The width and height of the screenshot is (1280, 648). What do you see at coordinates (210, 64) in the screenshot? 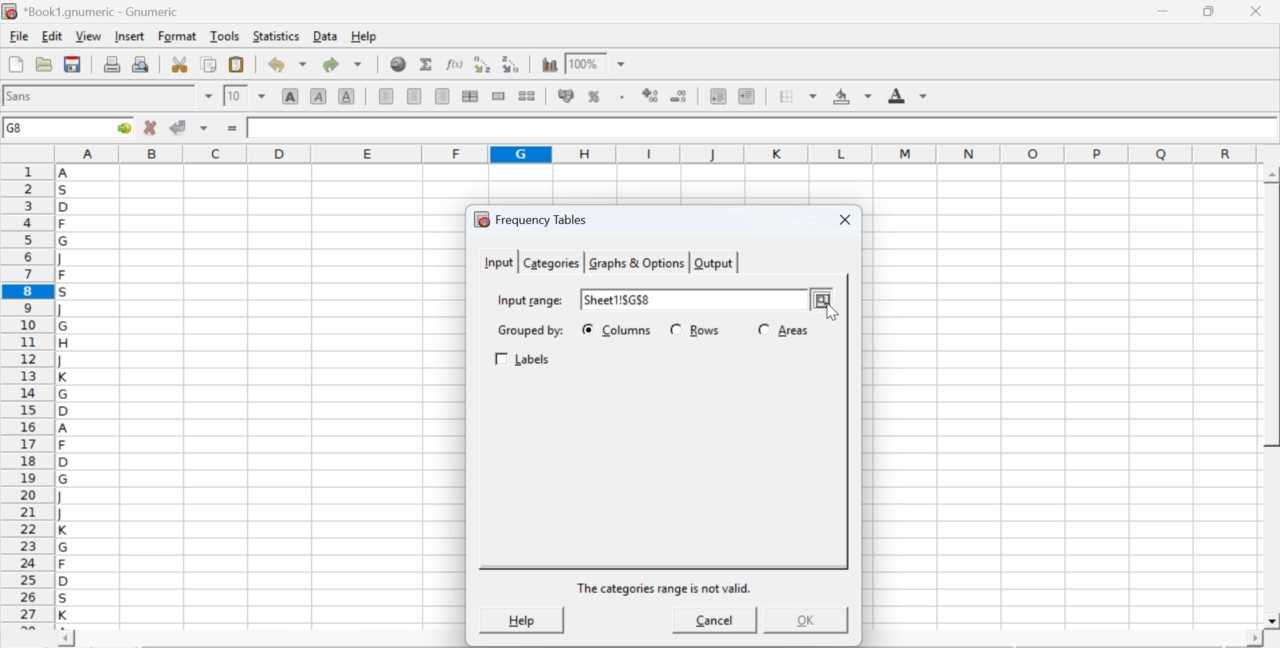
I see `copy` at bounding box center [210, 64].